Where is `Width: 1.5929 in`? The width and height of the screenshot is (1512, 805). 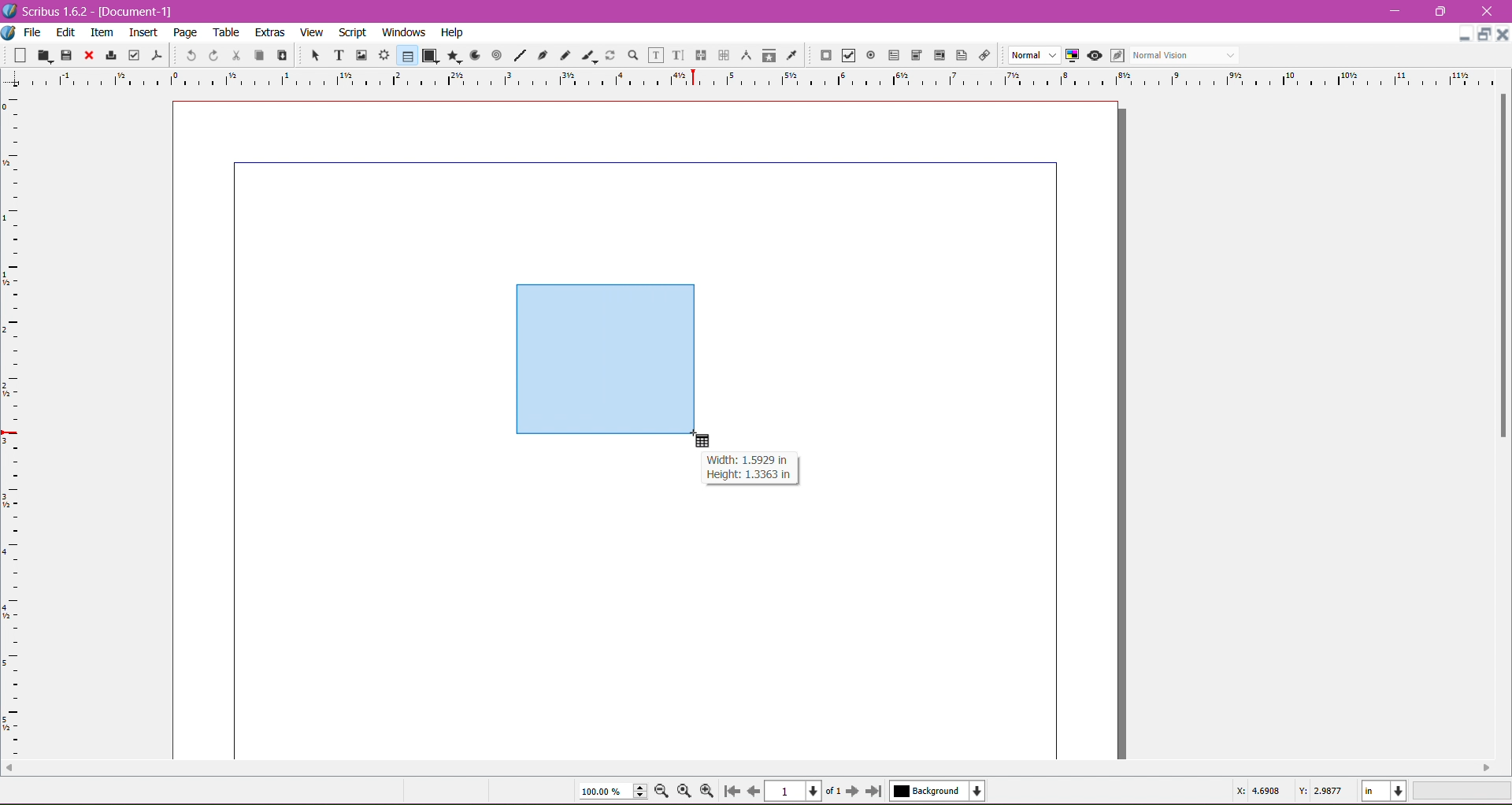 Width: 1.5929 in is located at coordinates (747, 460).